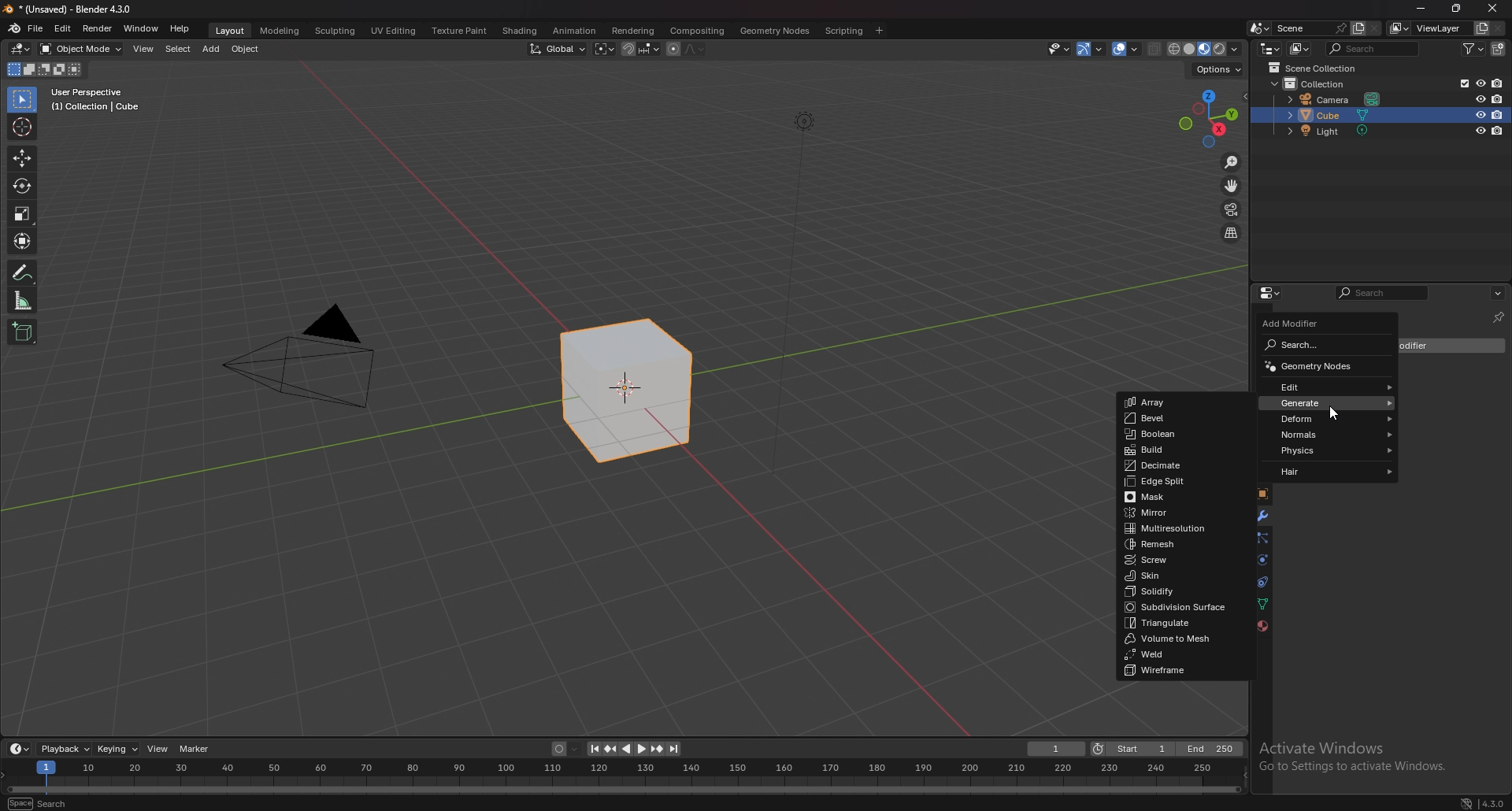  I want to click on jump to endpoint, so click(592, 749).